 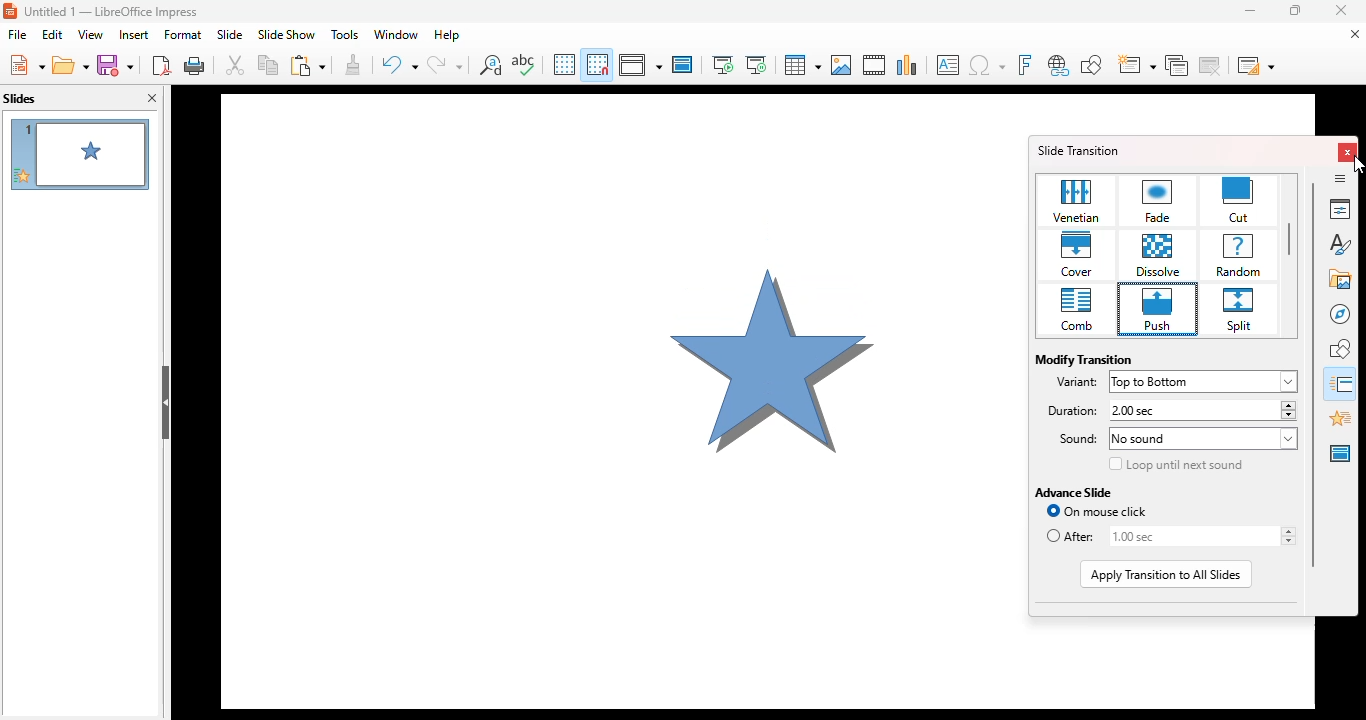 I want to click on undo, so click(x=398, y=65).